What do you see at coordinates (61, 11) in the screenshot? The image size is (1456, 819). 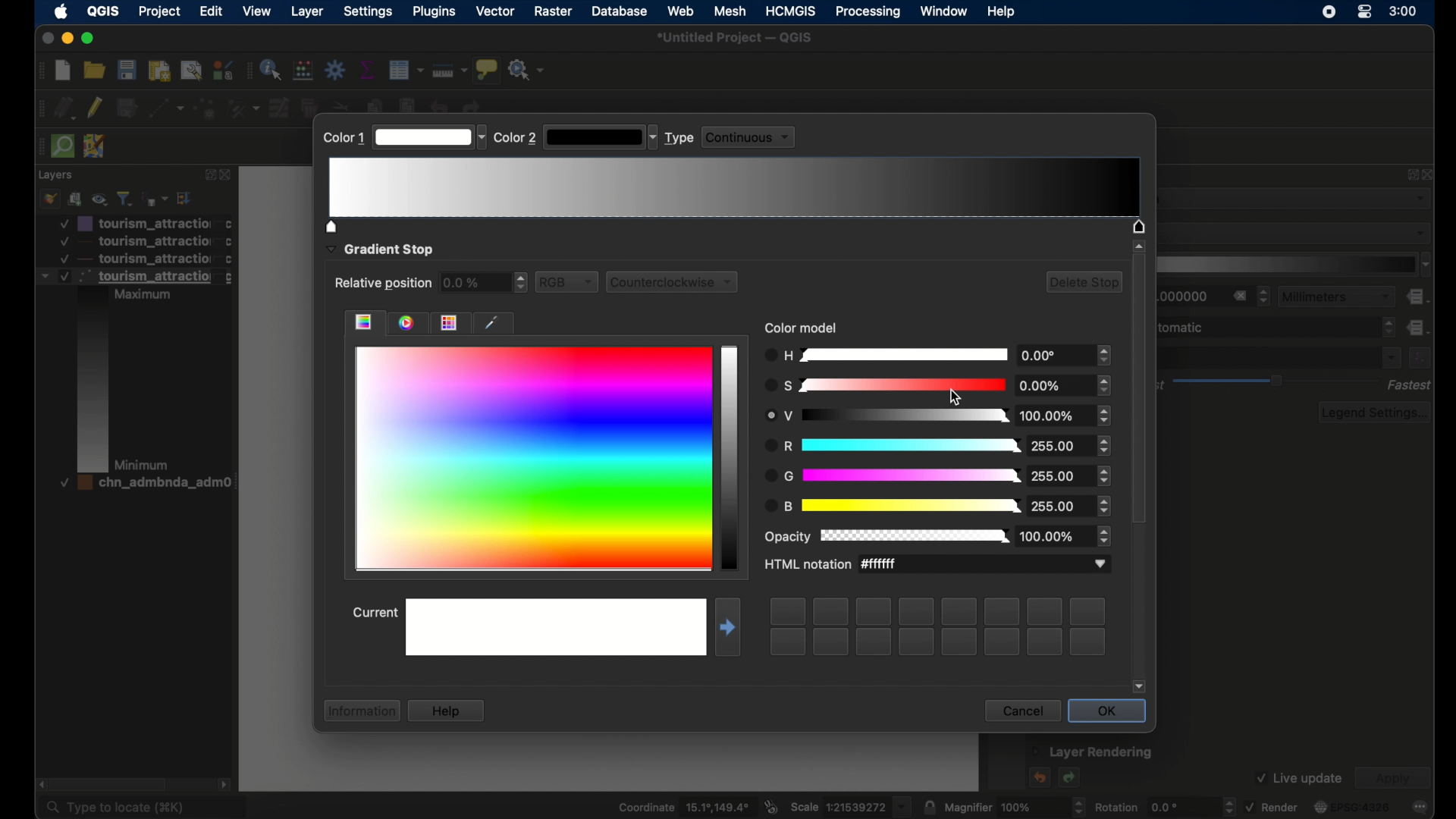 I see `apple icon` at bounding box center [61, 11].